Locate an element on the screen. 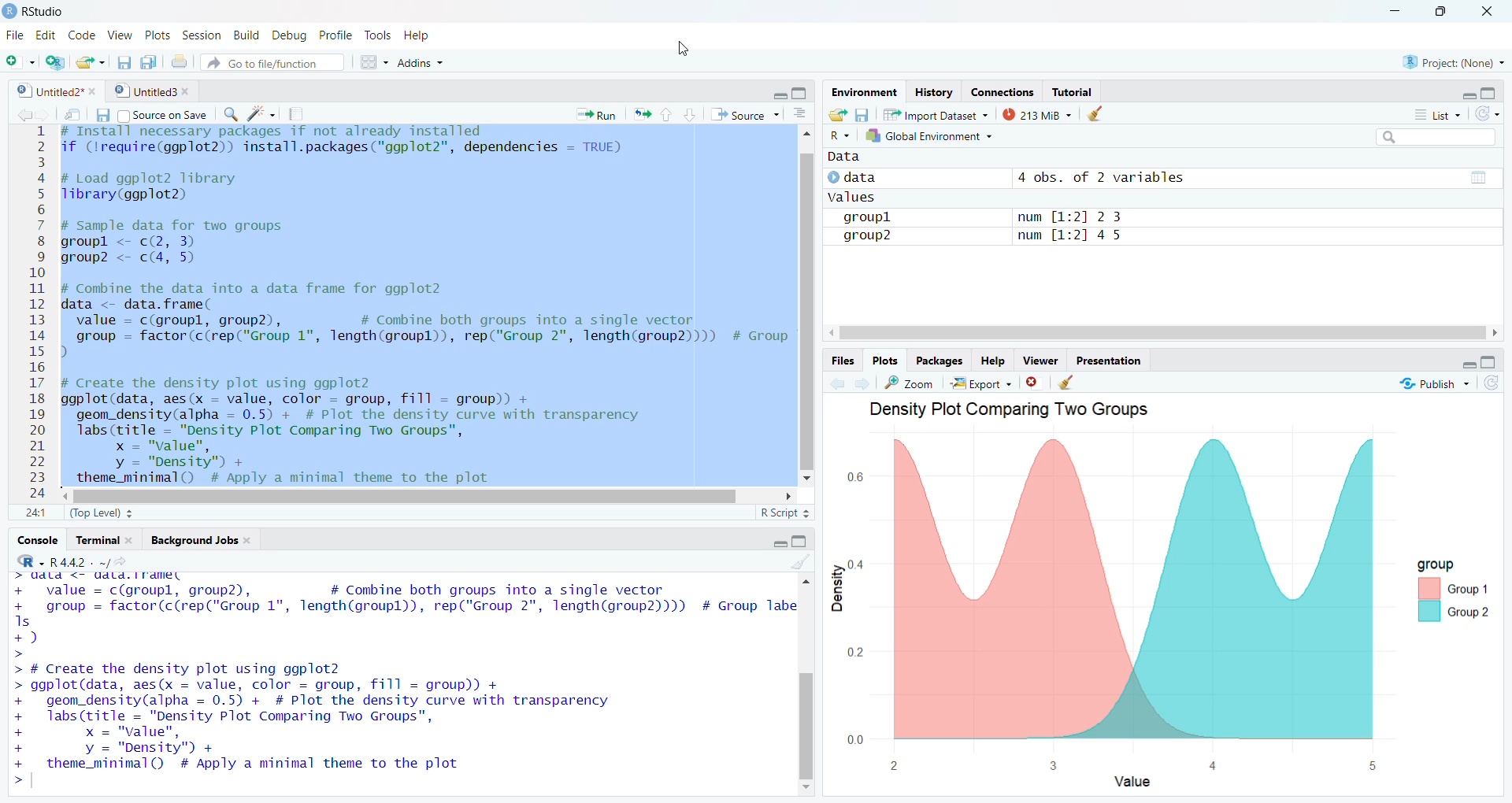 Image resolution: width=1512 pixels, height=803 pixels. untitled2 is located at coordinates (50, 91).